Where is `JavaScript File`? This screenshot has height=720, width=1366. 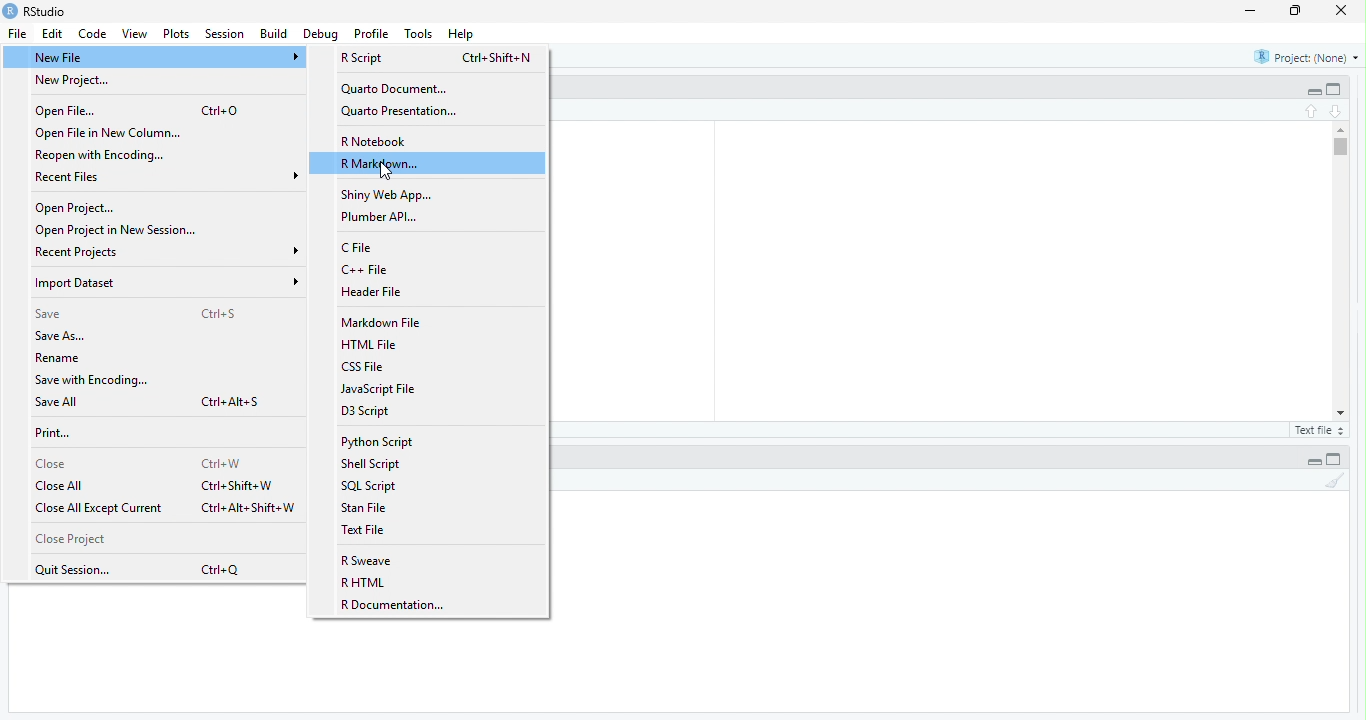 JavaScript File is located at coordinates (380, 389).